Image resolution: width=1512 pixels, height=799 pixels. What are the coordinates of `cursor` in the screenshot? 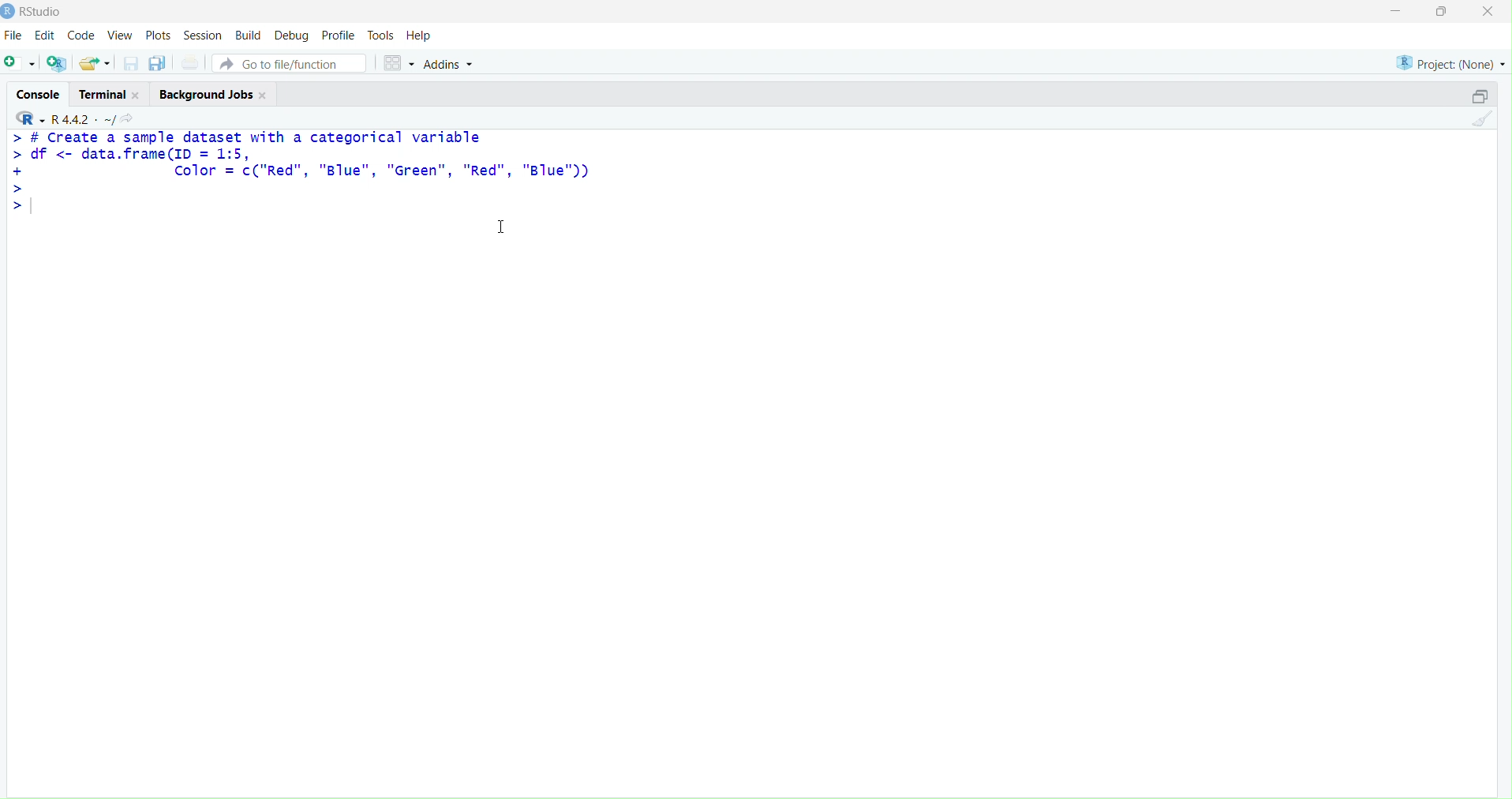 It's located at (502, 227).